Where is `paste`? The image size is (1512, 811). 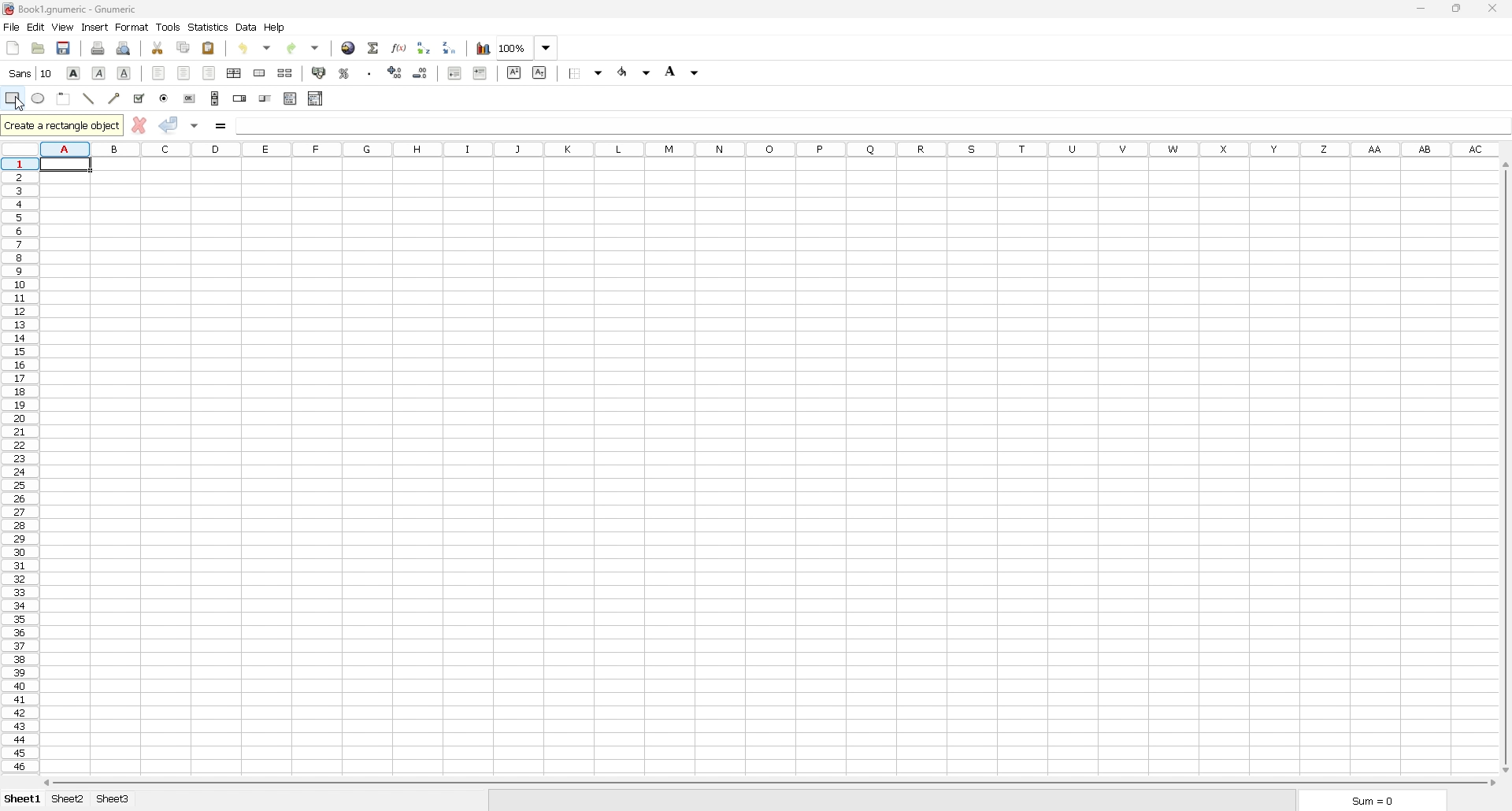
paste is located at coordinates (209, 47).